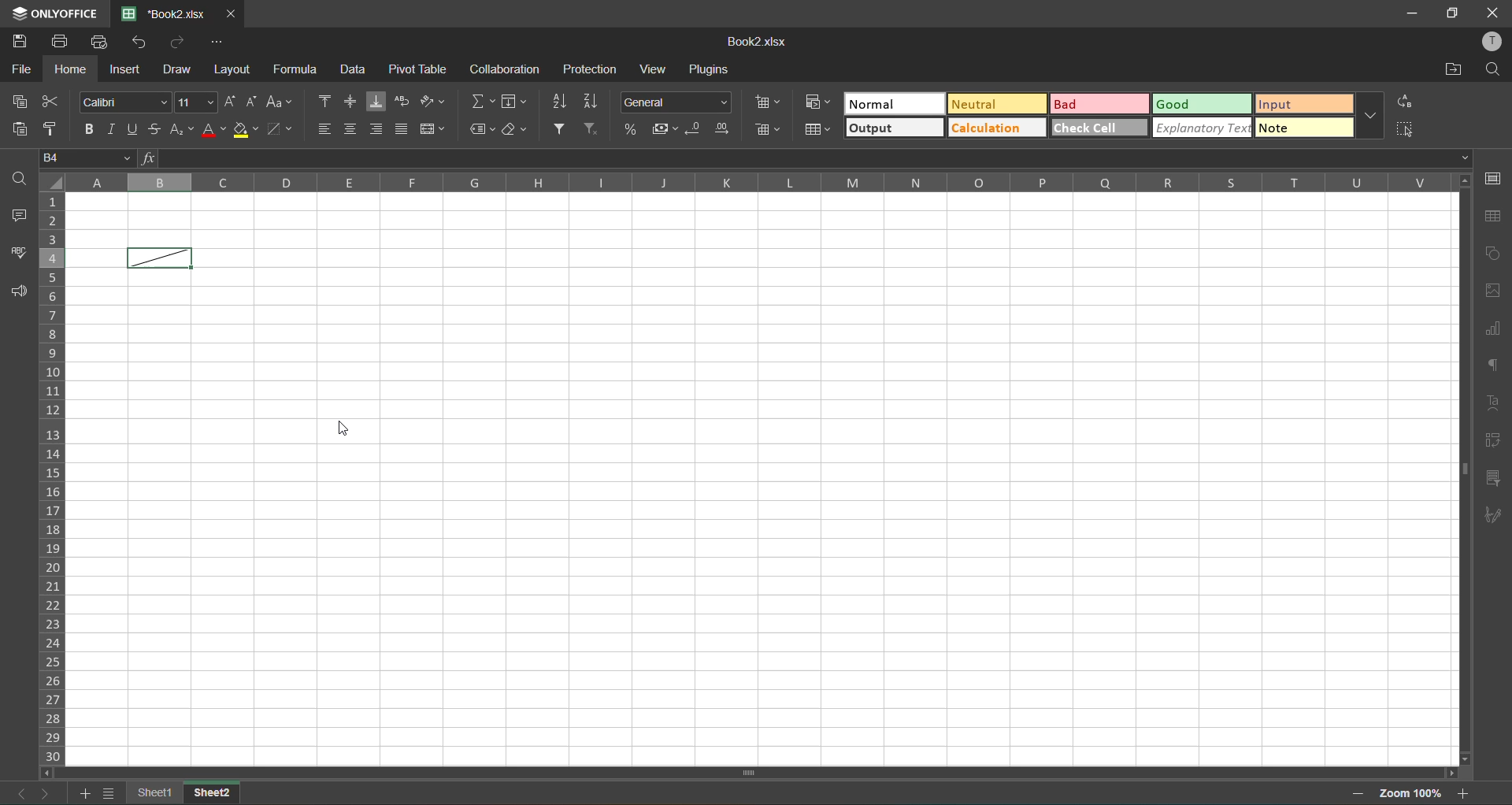  Describe the element at coordinates (17, 178) in the screenshot. I see `find` at that location.